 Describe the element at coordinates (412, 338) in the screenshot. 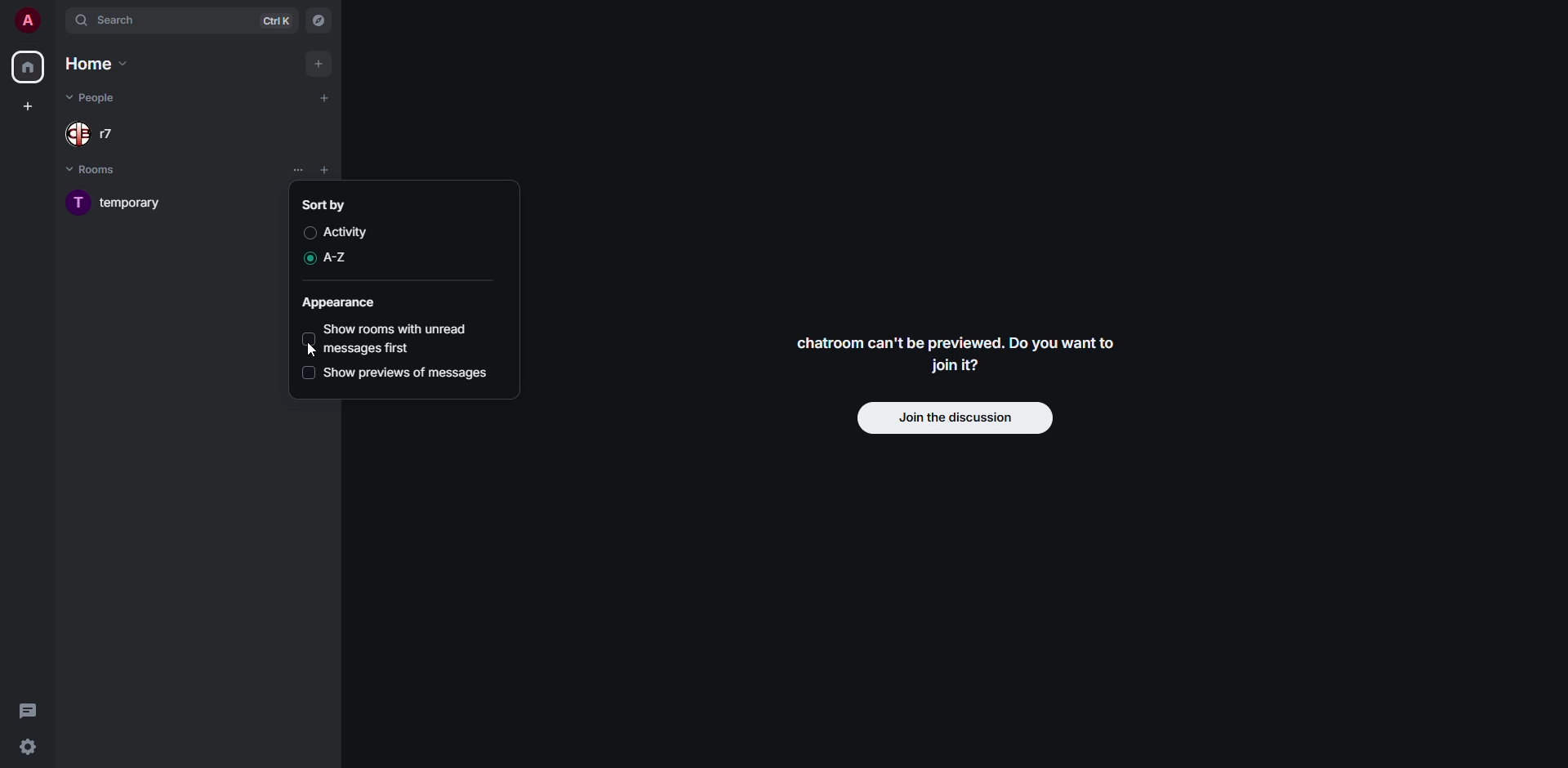

I see `show rooms with unread messages first` at that location.